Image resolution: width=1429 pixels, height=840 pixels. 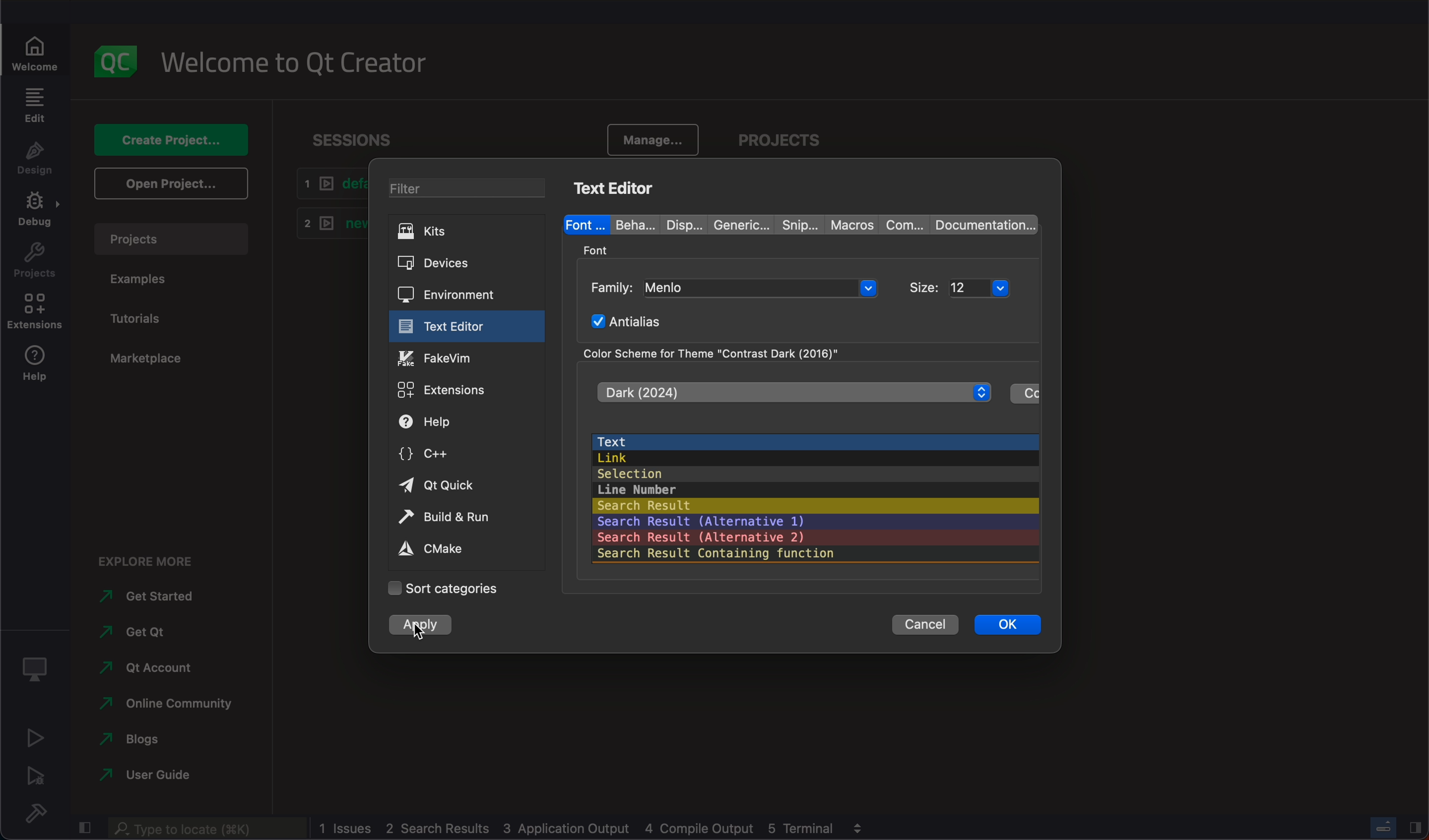 I want to click on size, so click(x=990, y=286).